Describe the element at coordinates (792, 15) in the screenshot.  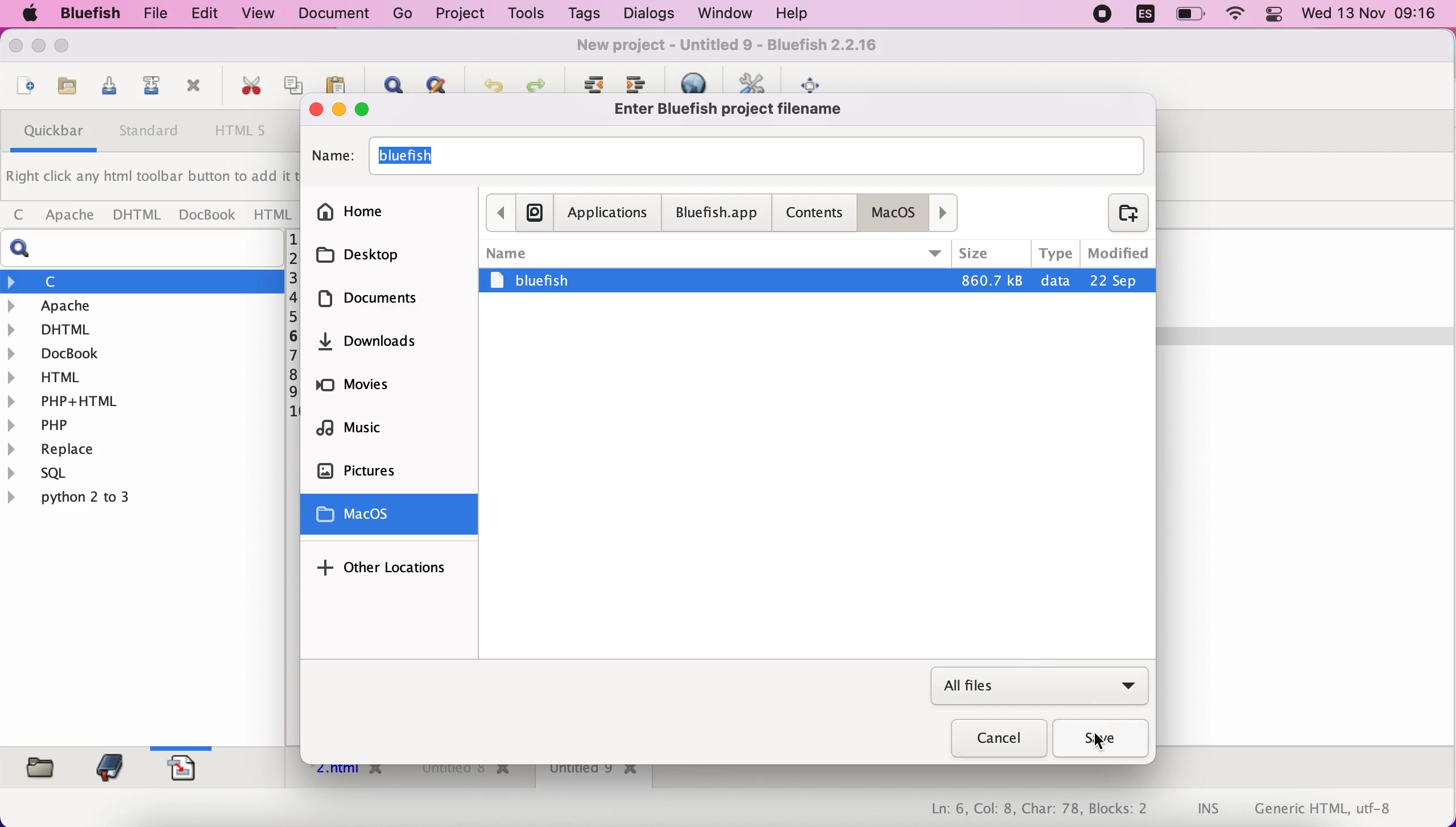
I see `help` at that location.